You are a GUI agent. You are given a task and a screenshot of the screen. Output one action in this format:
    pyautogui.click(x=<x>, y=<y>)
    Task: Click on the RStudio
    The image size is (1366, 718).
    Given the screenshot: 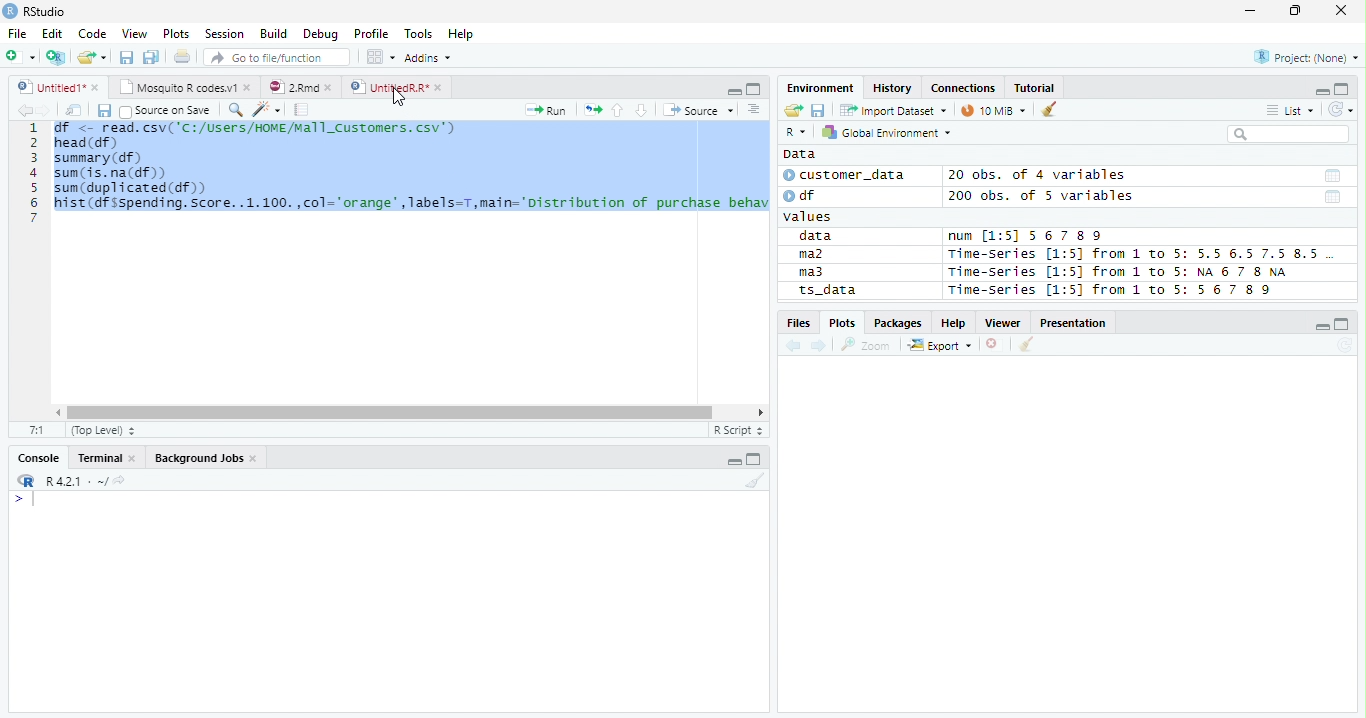 What is the action you would take?
    pyautogui.click(x=35, y=12)
    